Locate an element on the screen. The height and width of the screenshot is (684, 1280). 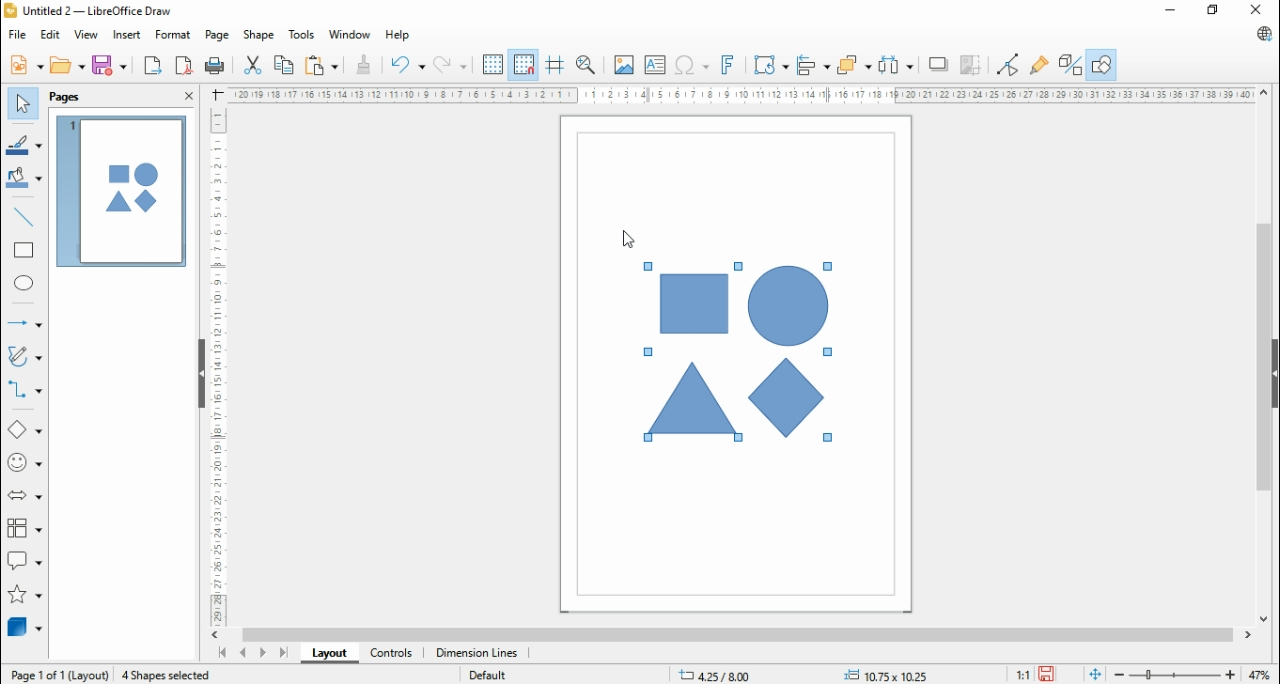
edit is located at coordinates (52, 35).